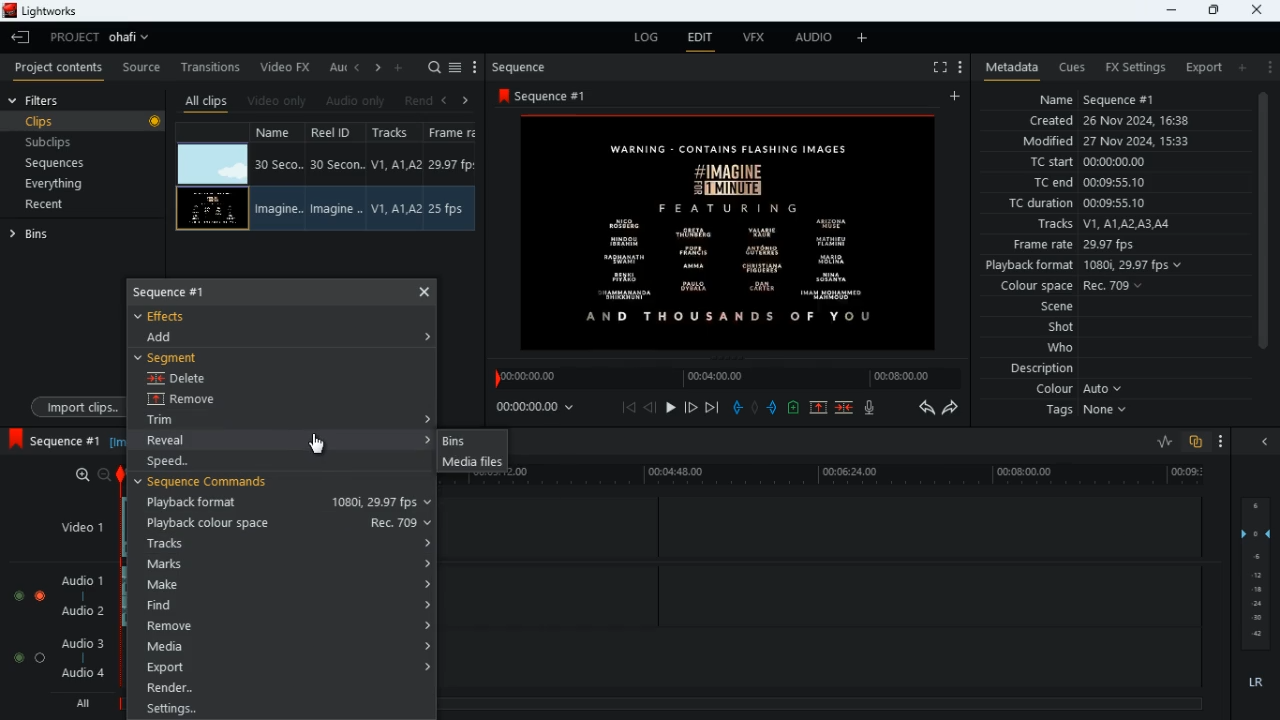  What do you see at coordinates (814, 40) in the screenshot?
I see `audio` at bounding box center [814, 40].